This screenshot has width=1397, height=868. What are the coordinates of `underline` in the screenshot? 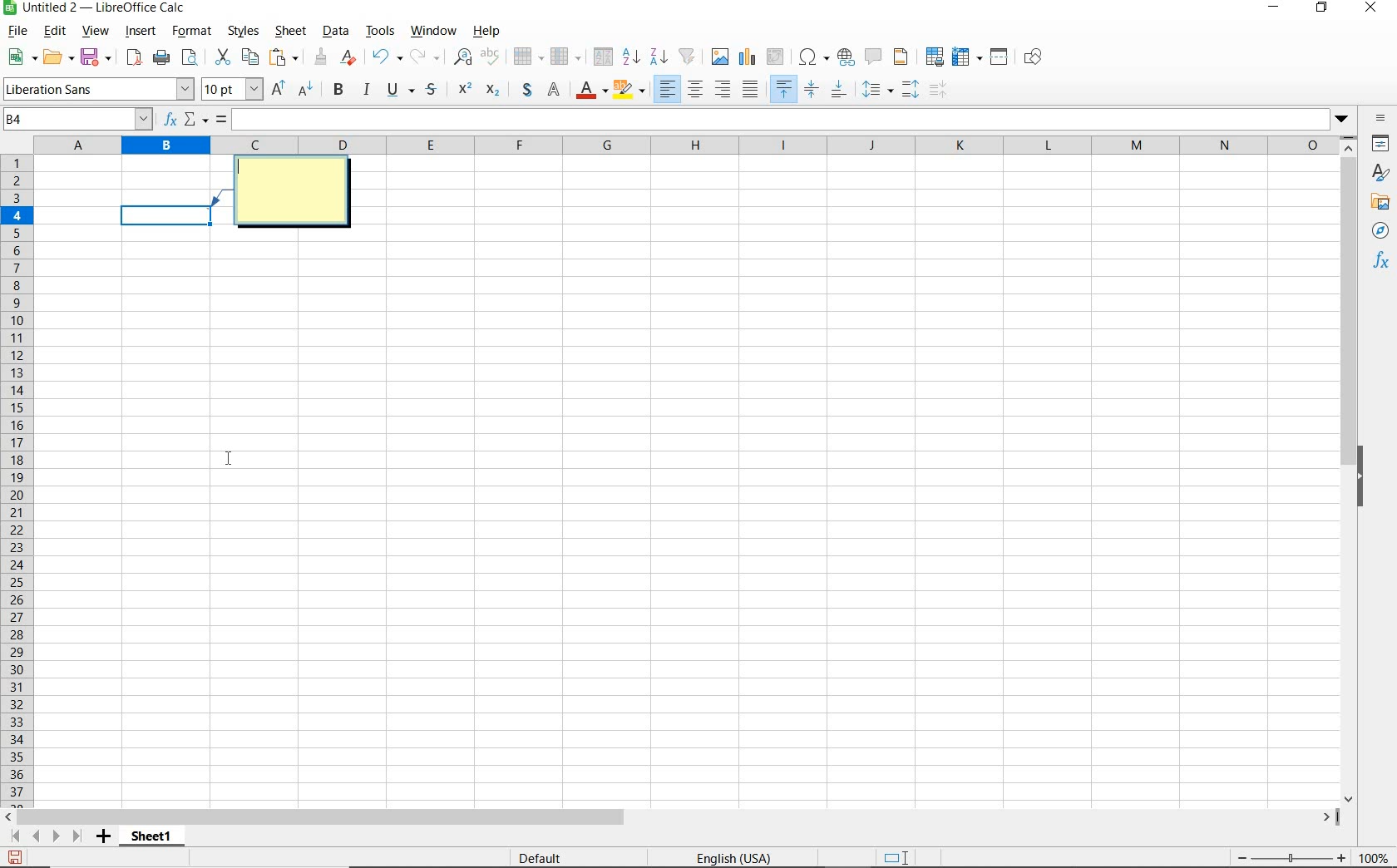 It's located at (392, 90).